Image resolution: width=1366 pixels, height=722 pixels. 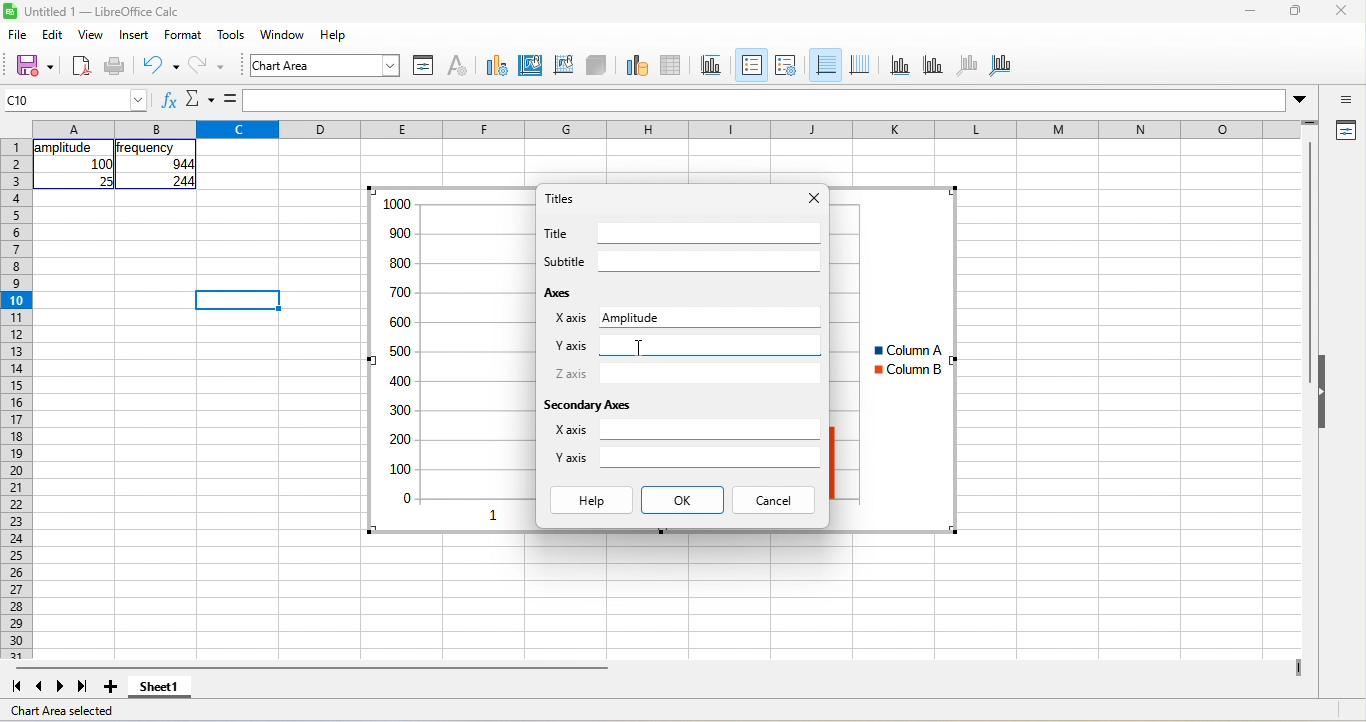 What do you see at coordinates (200, 99) in the screenshot?
I see `Function options` at bounding box center [200, 99].